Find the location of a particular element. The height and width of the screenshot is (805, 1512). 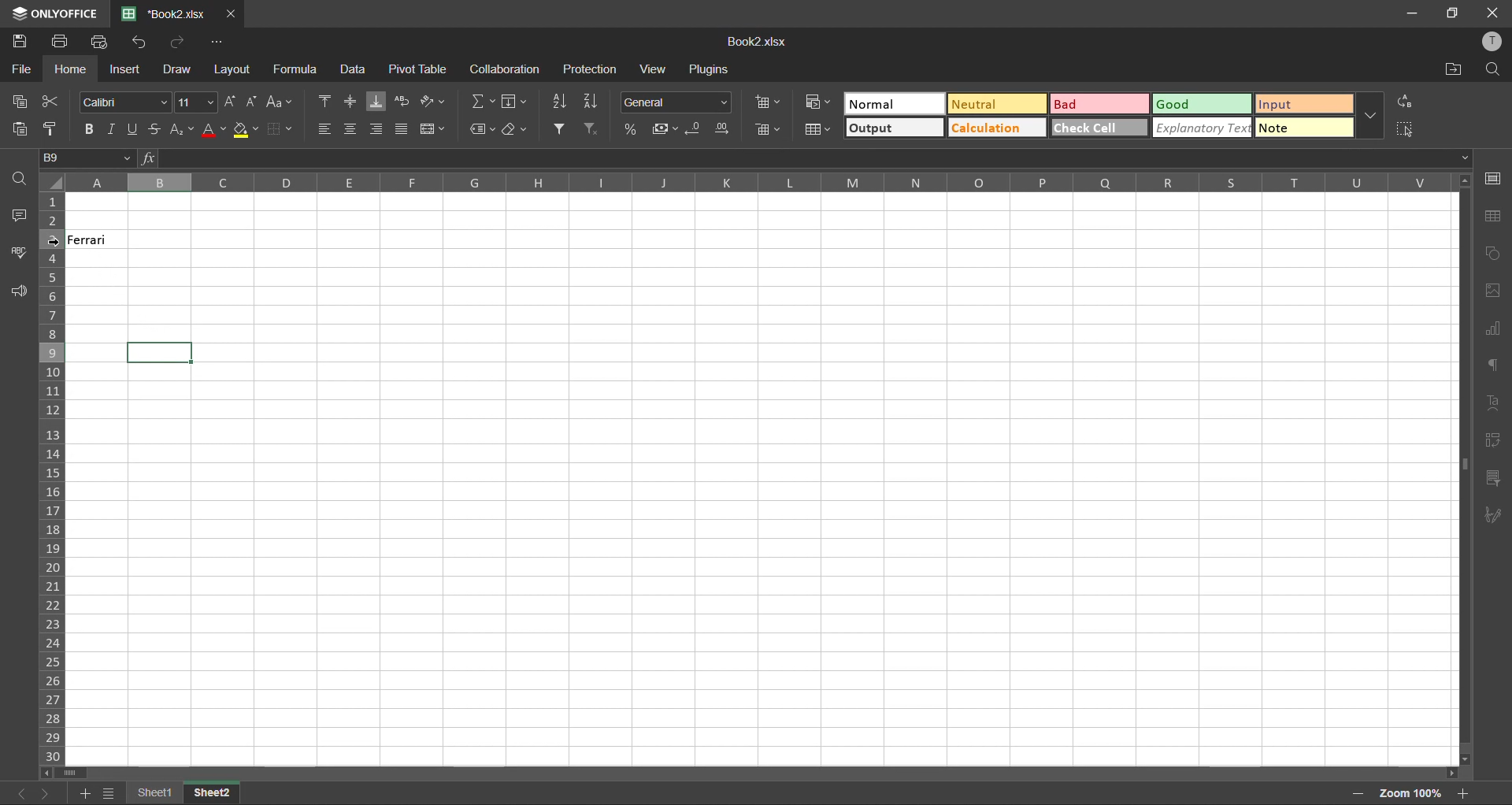

merge and center is located at coordinates (437, 129).